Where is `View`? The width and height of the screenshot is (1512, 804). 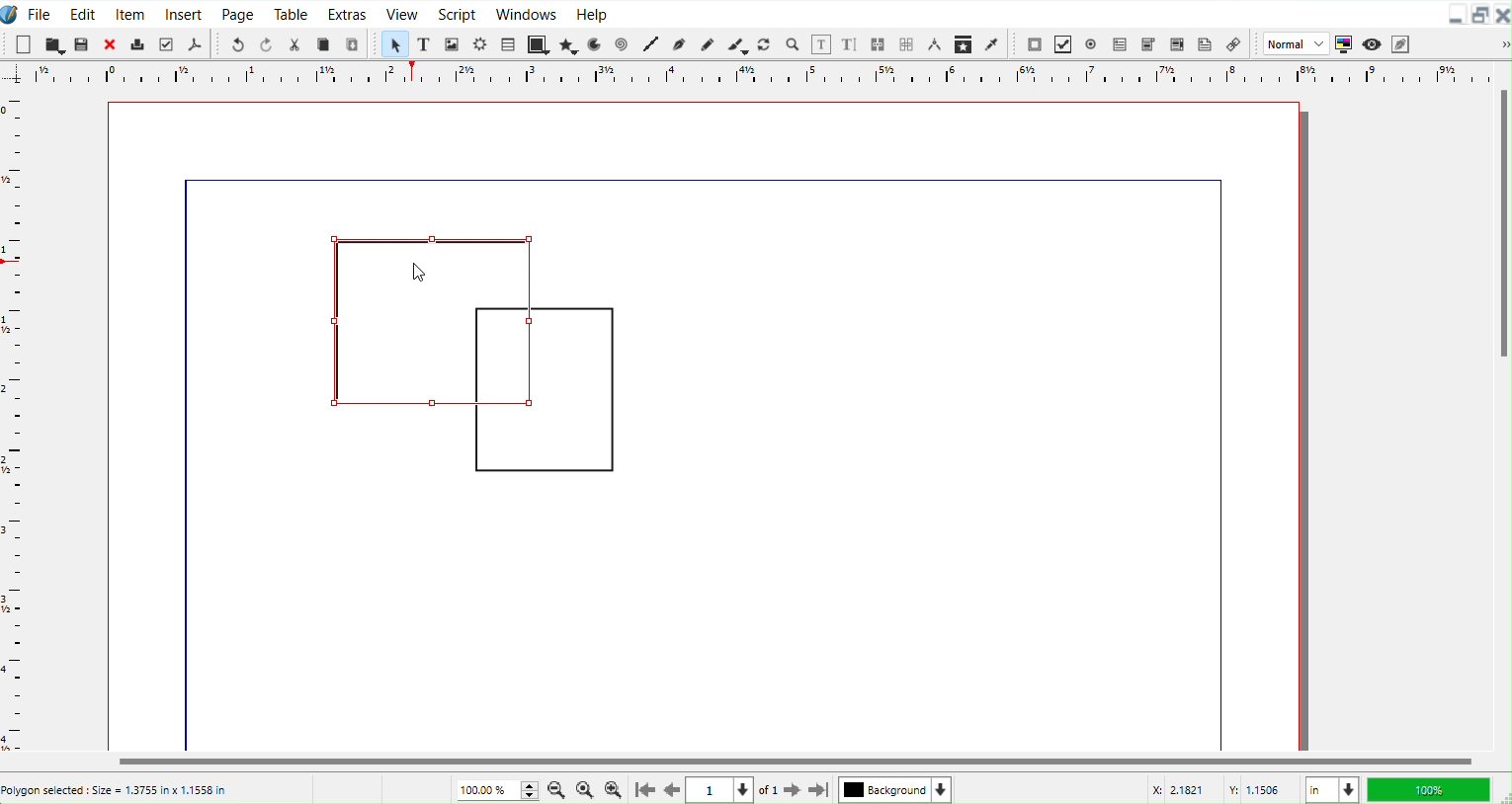
View is located at coordinates (400, 13).